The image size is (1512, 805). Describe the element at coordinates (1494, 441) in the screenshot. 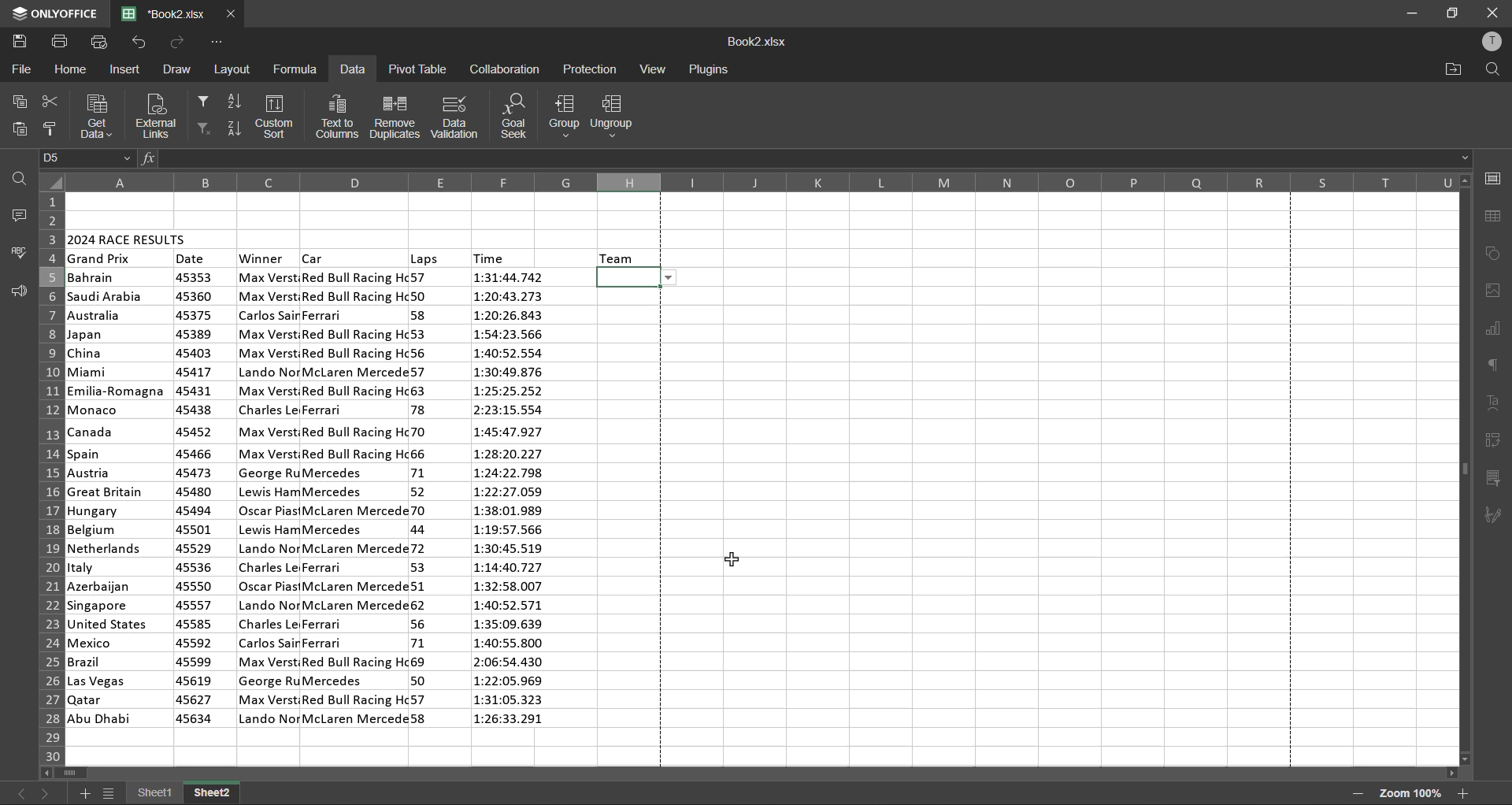

I see `pivot table` at that location.